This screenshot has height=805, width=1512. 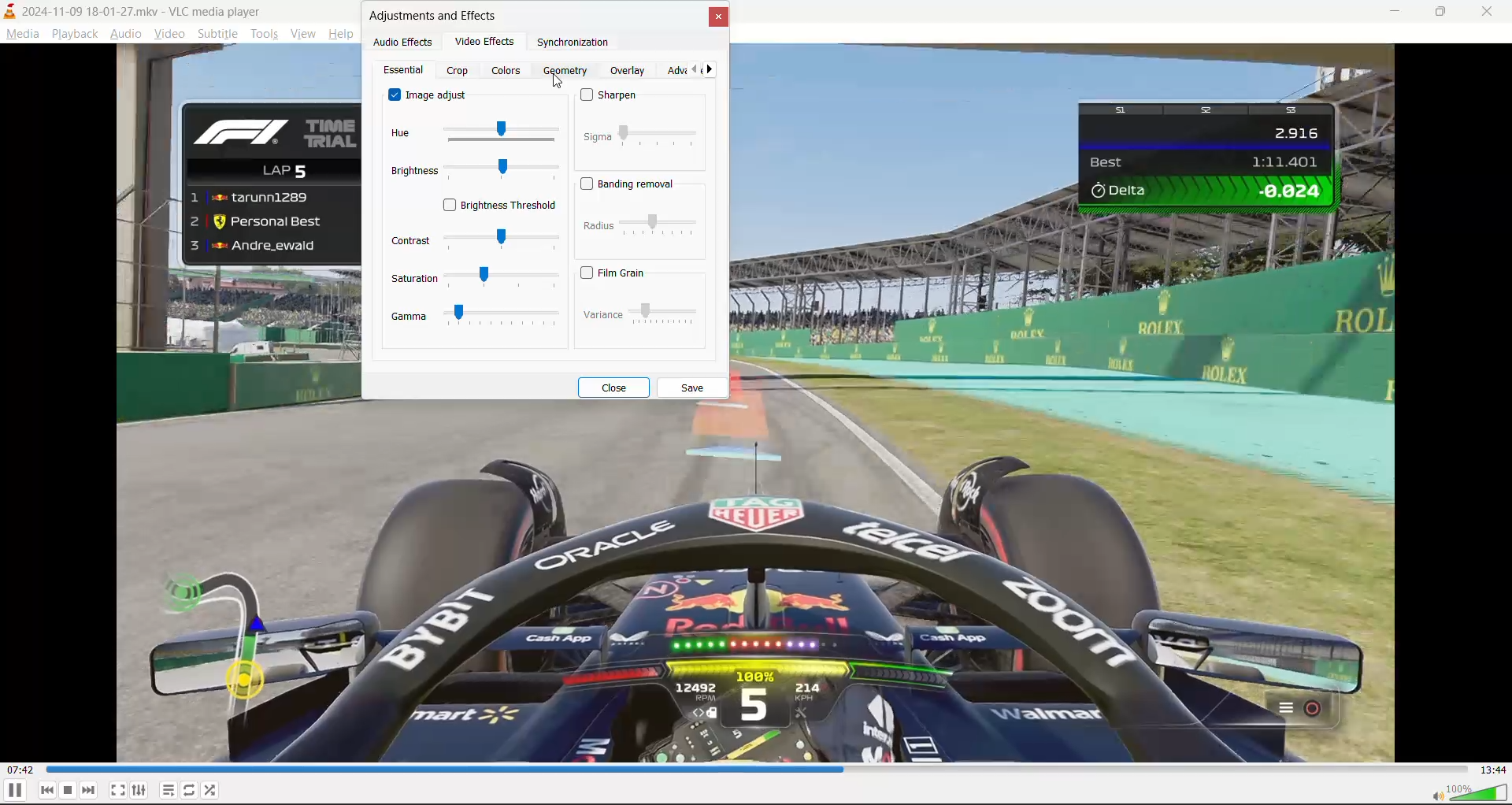 I want to click on banding removal, so click(x=631, y=184).